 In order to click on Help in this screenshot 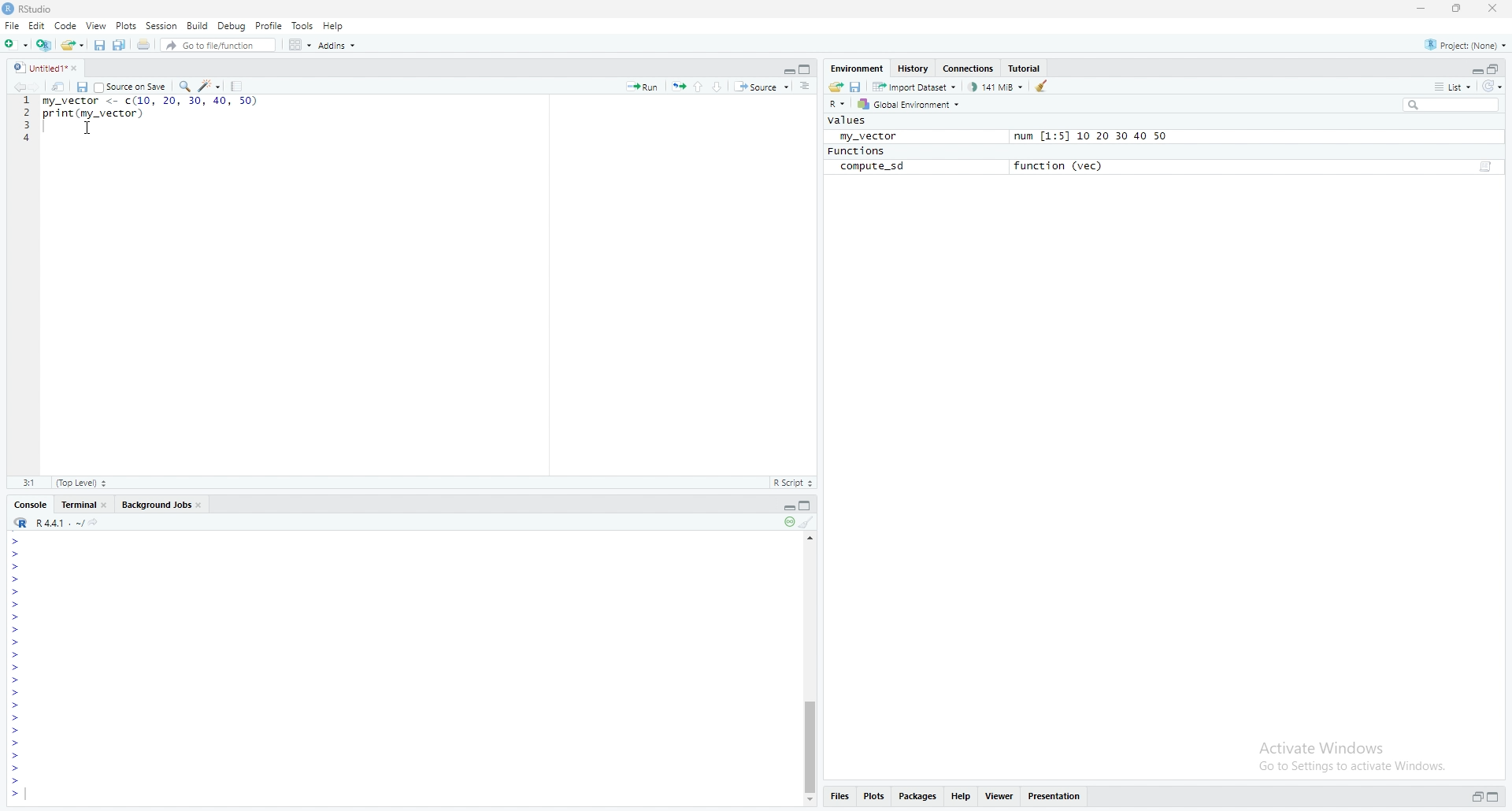, I will do `click(334, 24)`.